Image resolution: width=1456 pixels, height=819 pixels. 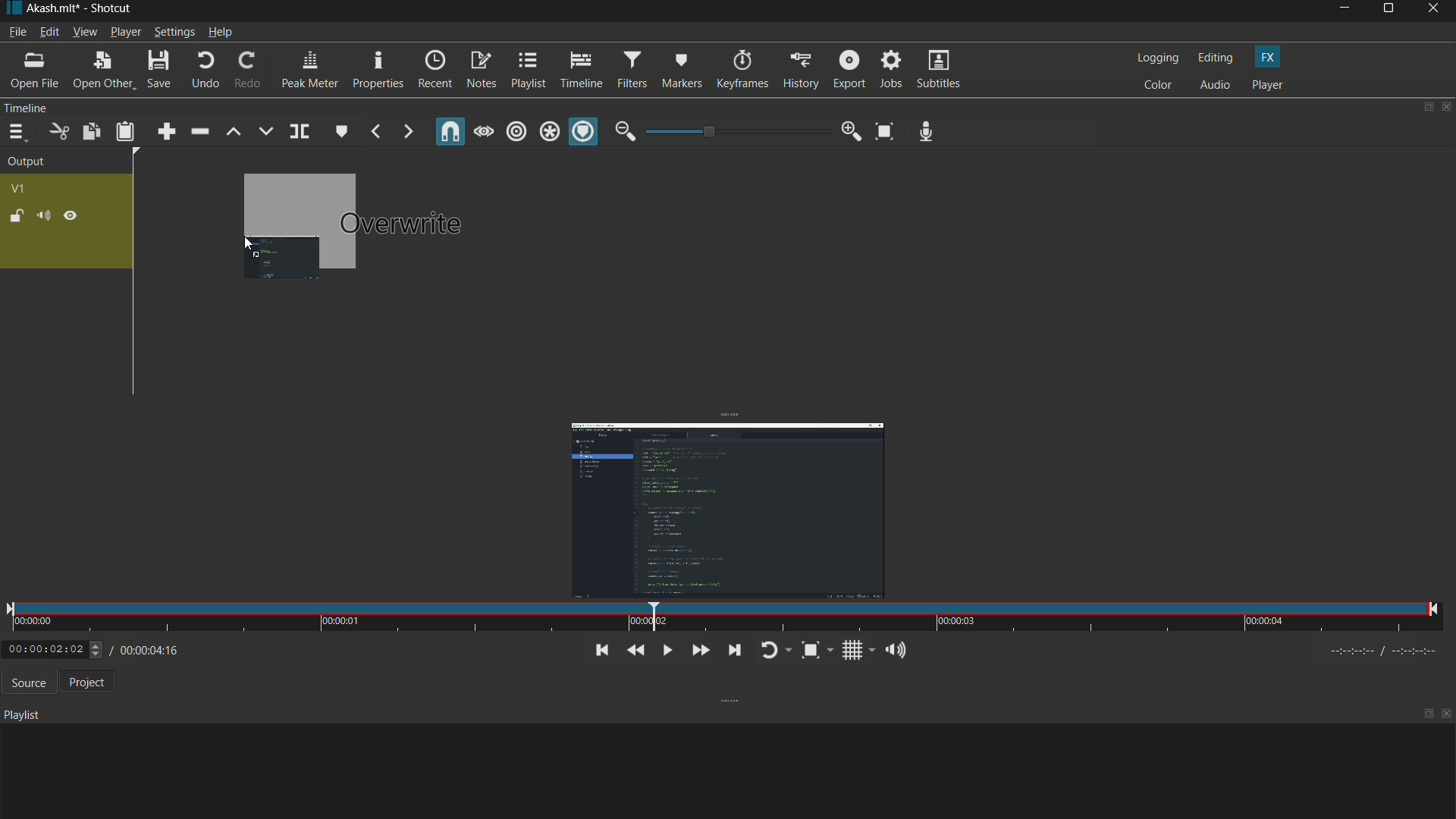 What do you see at coordinates (266, 130) in the screenshot?
I see `overwrite` at bounding box center [266, 130].